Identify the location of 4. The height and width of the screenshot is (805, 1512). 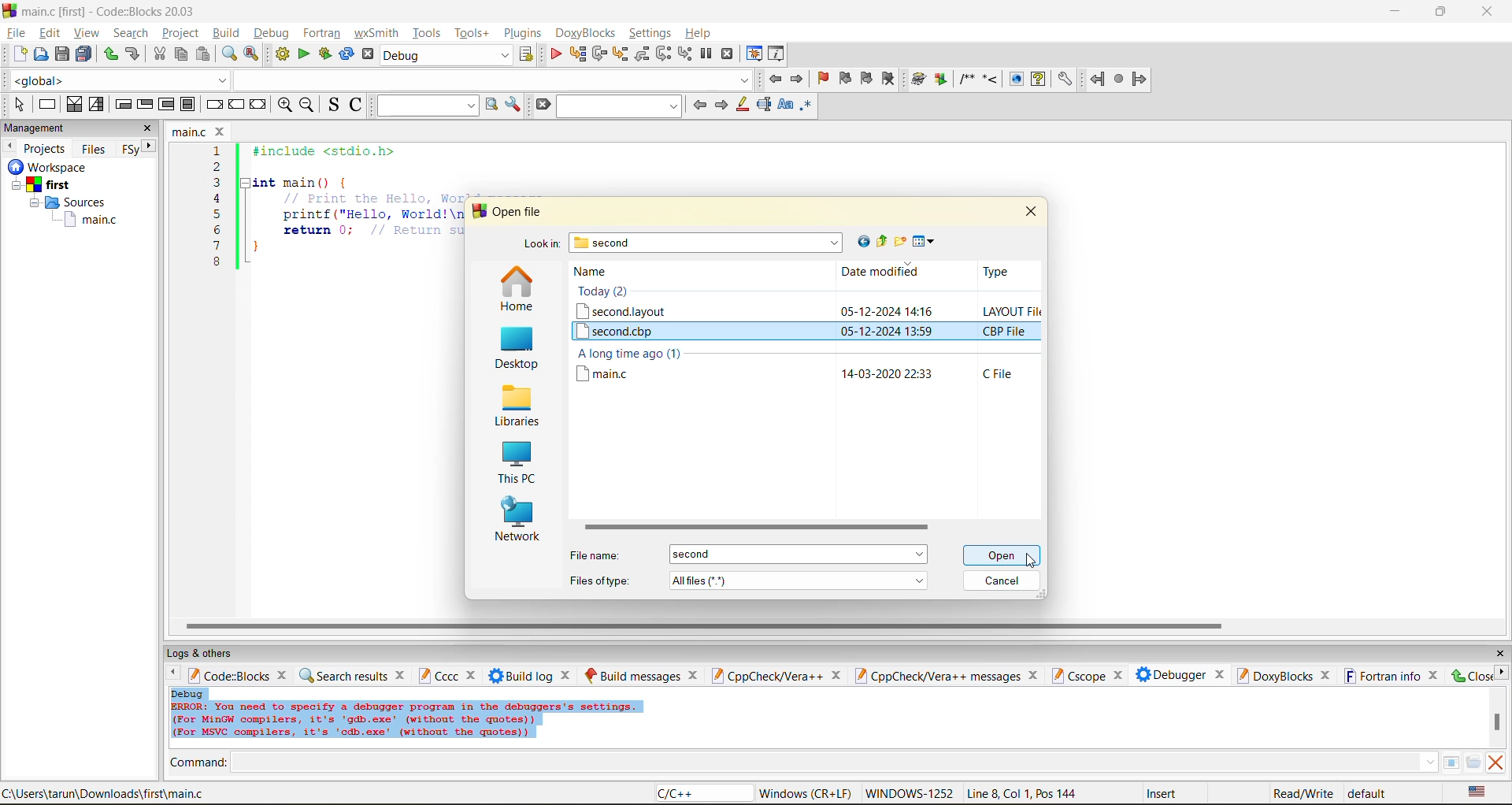
(217, 198).